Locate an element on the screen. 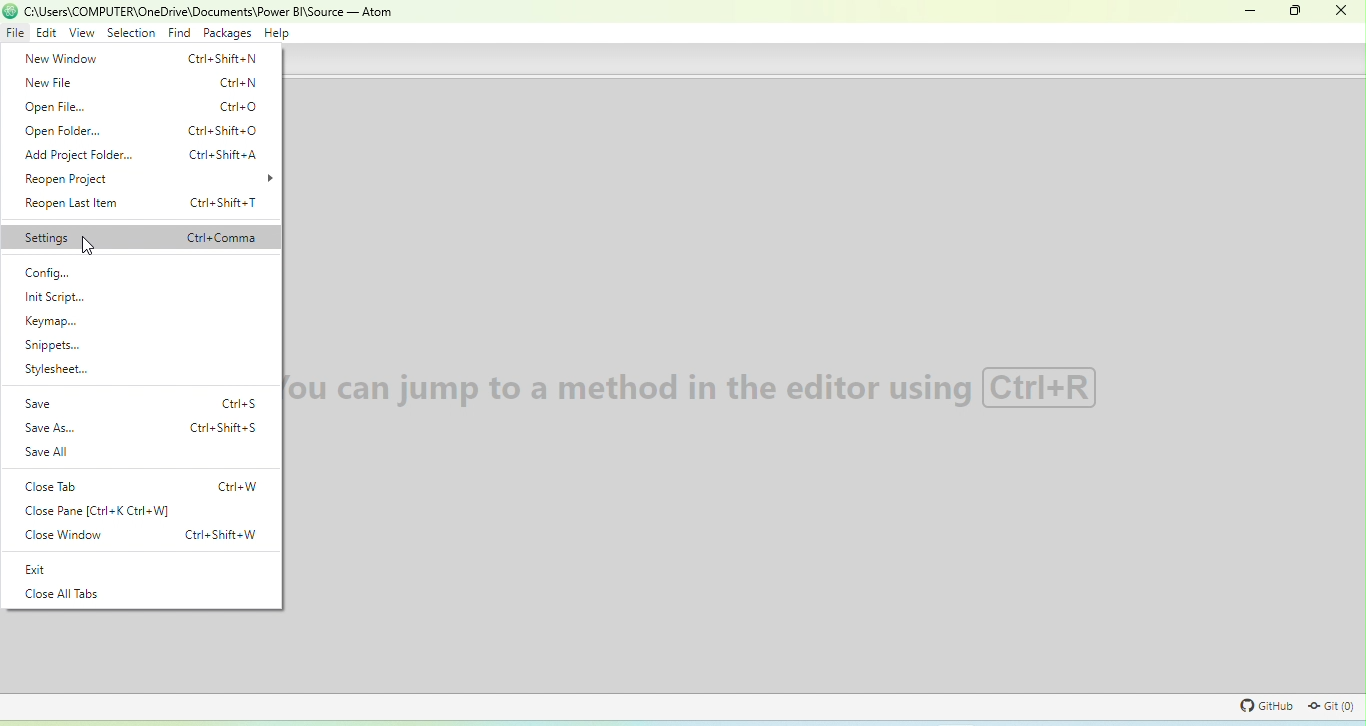 Image resolution: width=1366 pixels, height=726 pixels. save is located at coordinates (141, 403).